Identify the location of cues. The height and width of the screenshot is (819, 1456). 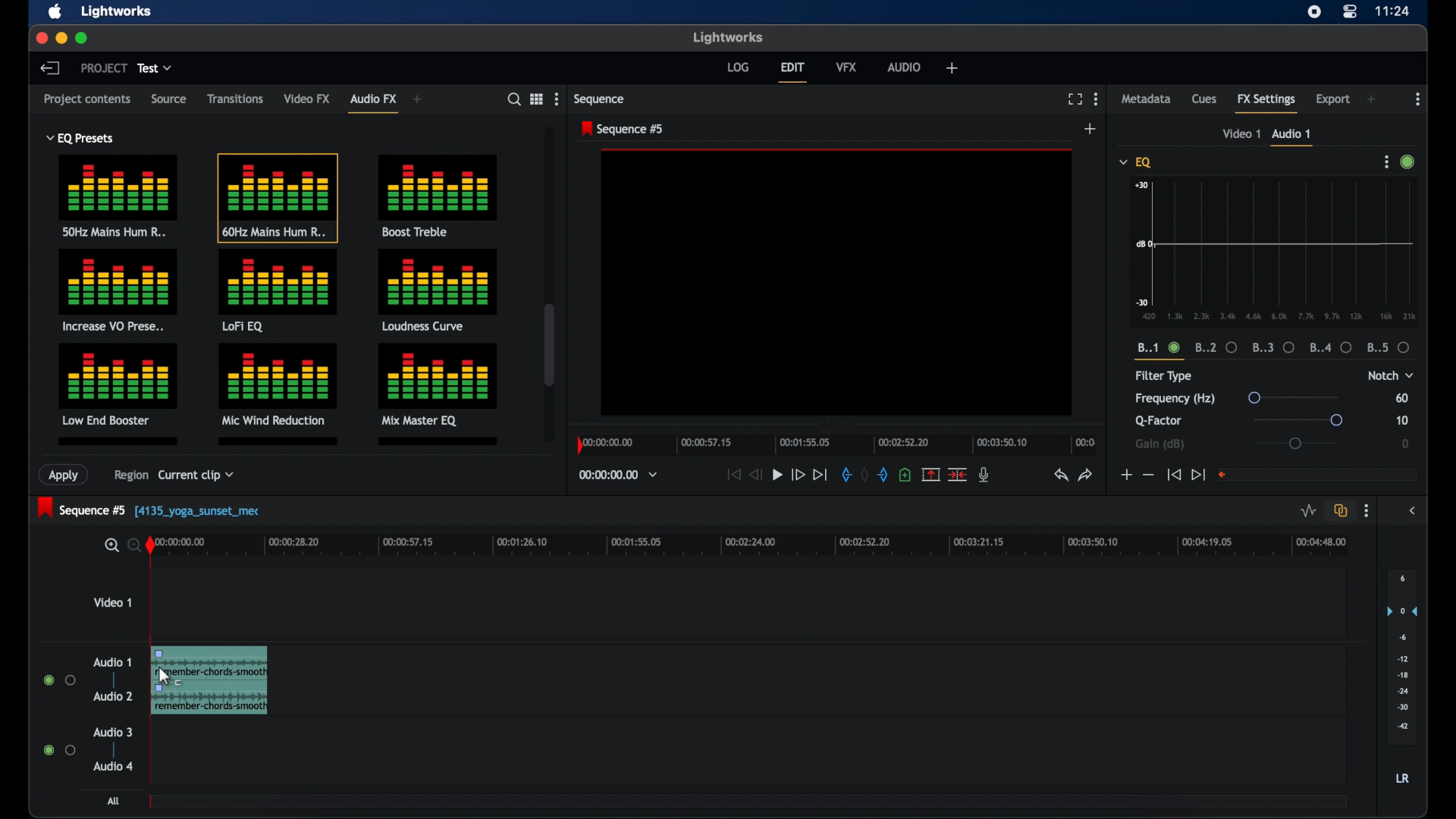
(1205, 103).